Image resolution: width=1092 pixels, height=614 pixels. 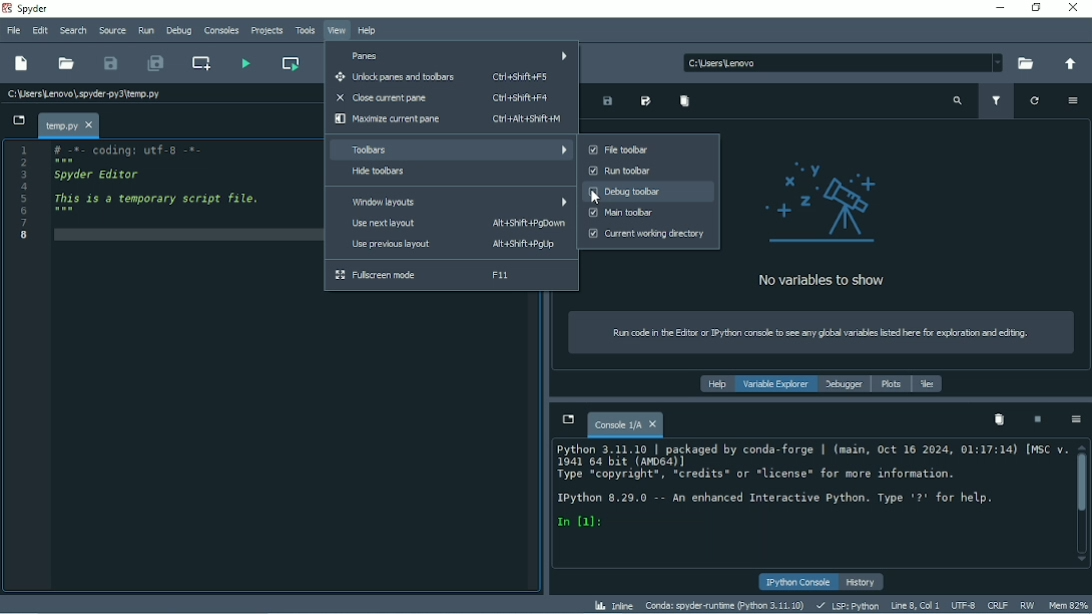 I want to click on Files, so click(x=928, y=384).